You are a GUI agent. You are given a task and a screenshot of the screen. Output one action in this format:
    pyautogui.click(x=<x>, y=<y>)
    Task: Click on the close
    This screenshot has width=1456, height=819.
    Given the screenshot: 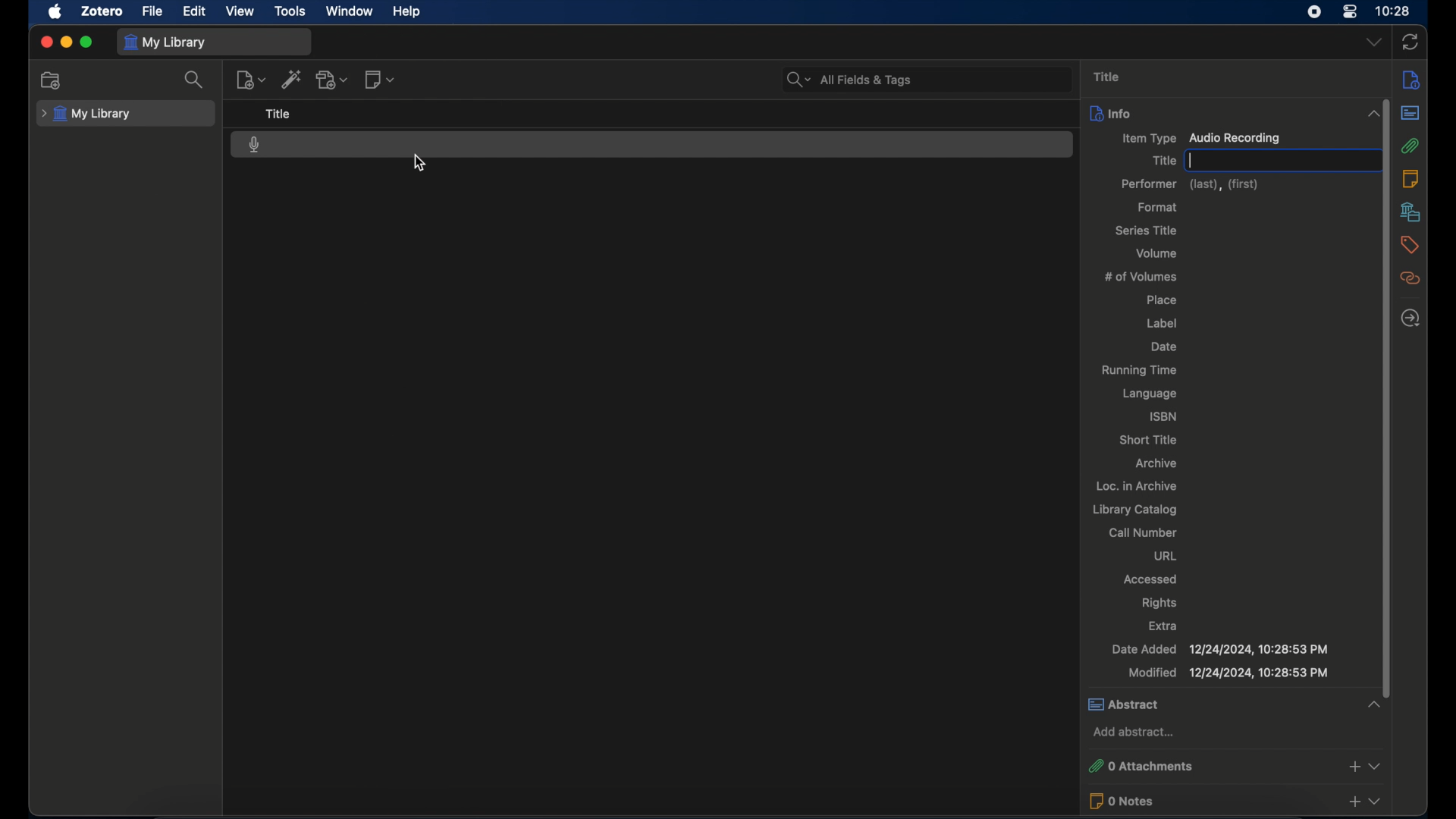 What is the action you would take?
    pyautogui.click(x=45, y=42)
    